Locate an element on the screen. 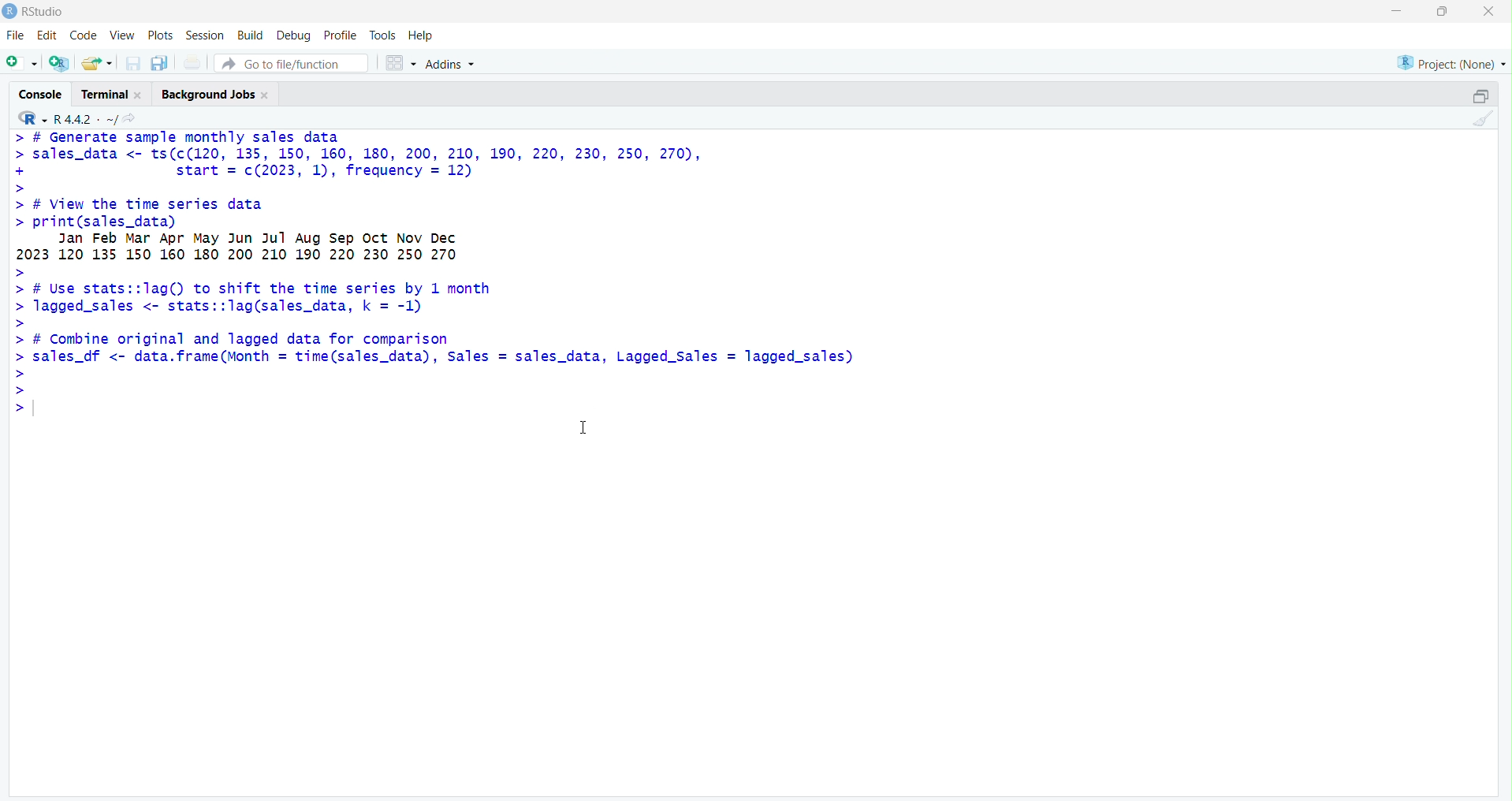  Jan Feb Mar Apr May Jun Jul Aug Sep Oct Nov Dec2023 120 135 150 160 180 200 210 190 220 230 250 270 is located at coordinates (289, 248).